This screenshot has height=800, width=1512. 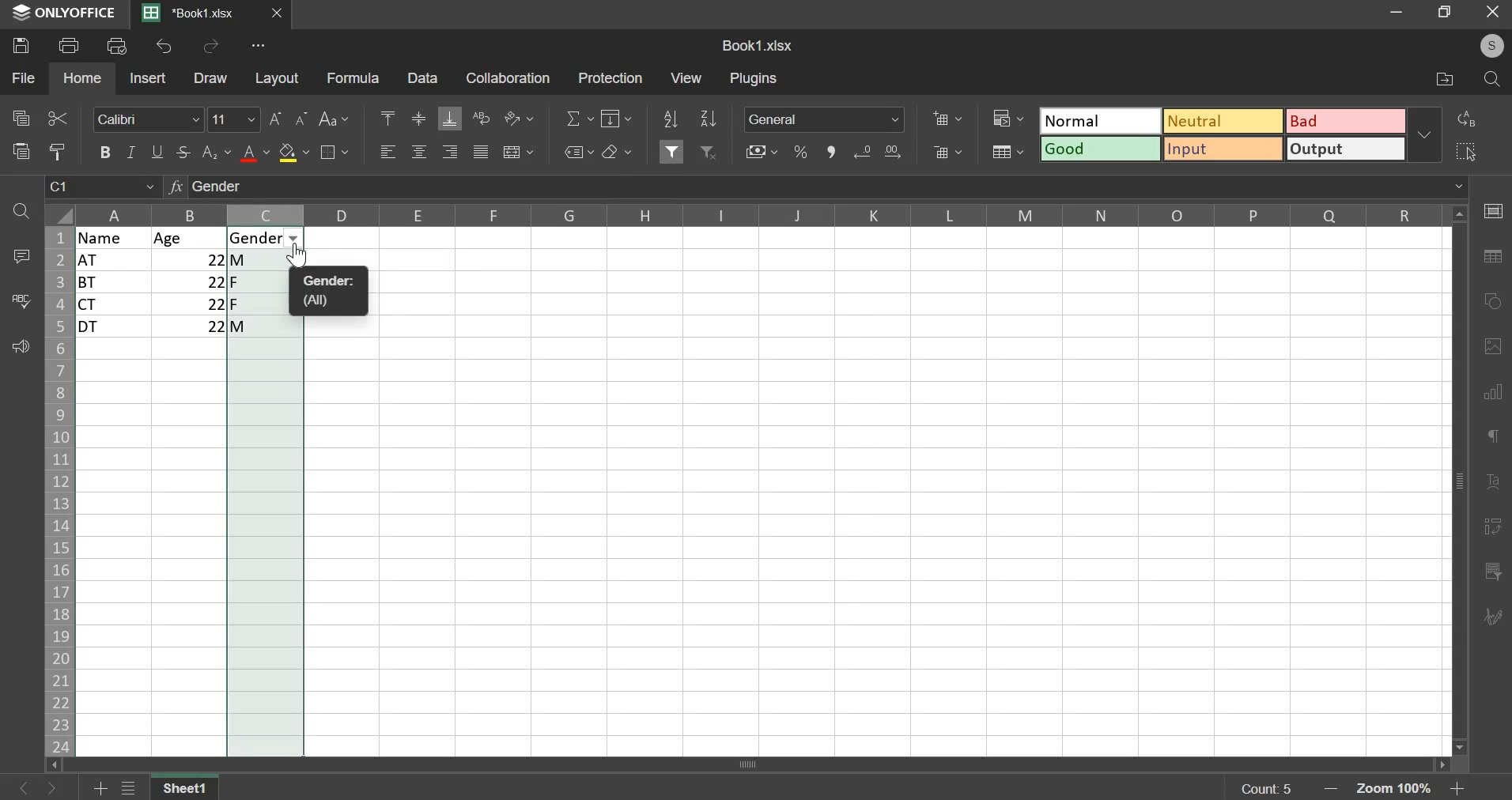 I want to click on zoom in, so click(x=1454, y=790).